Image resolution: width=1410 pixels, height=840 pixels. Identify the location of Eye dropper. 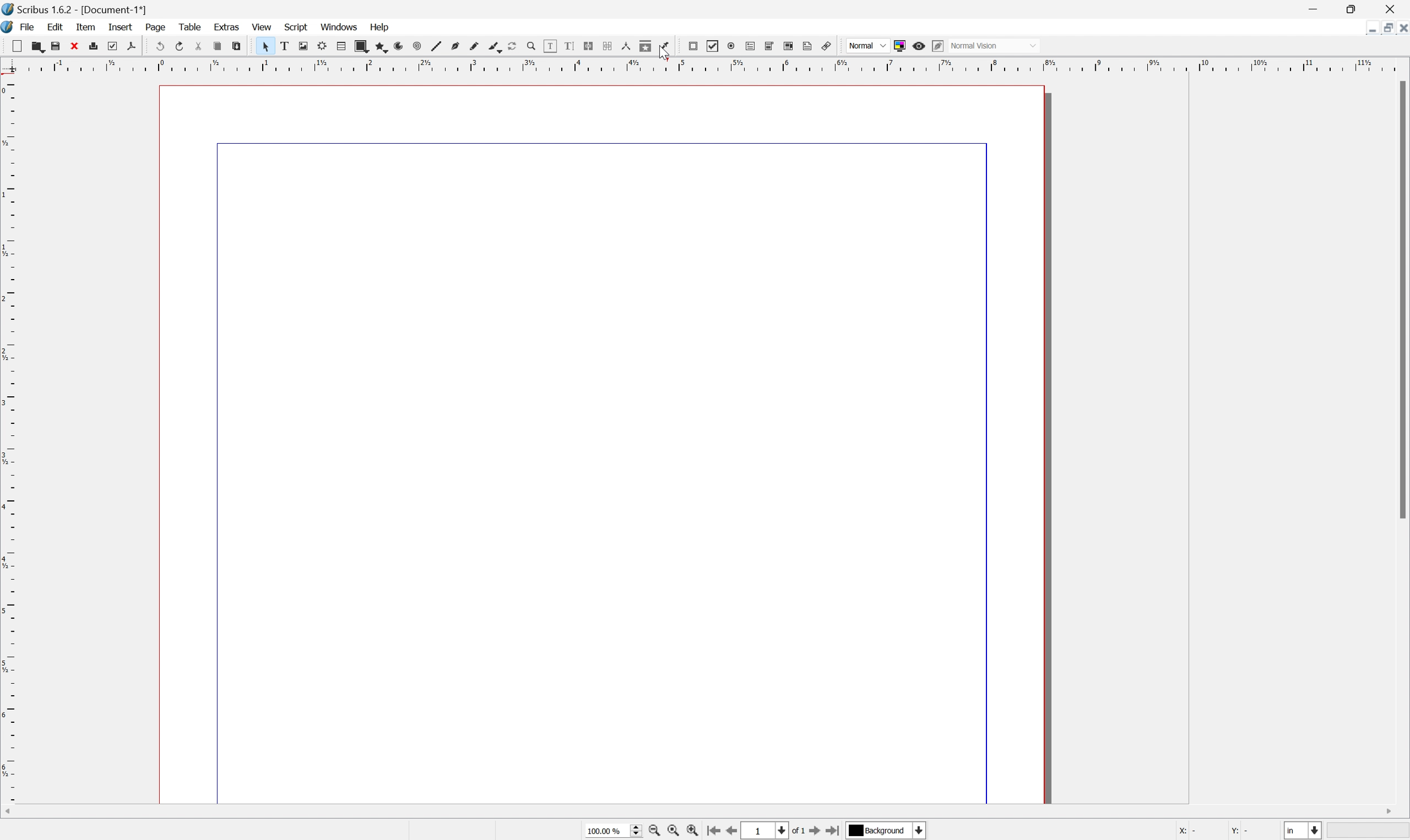
(668, 46).